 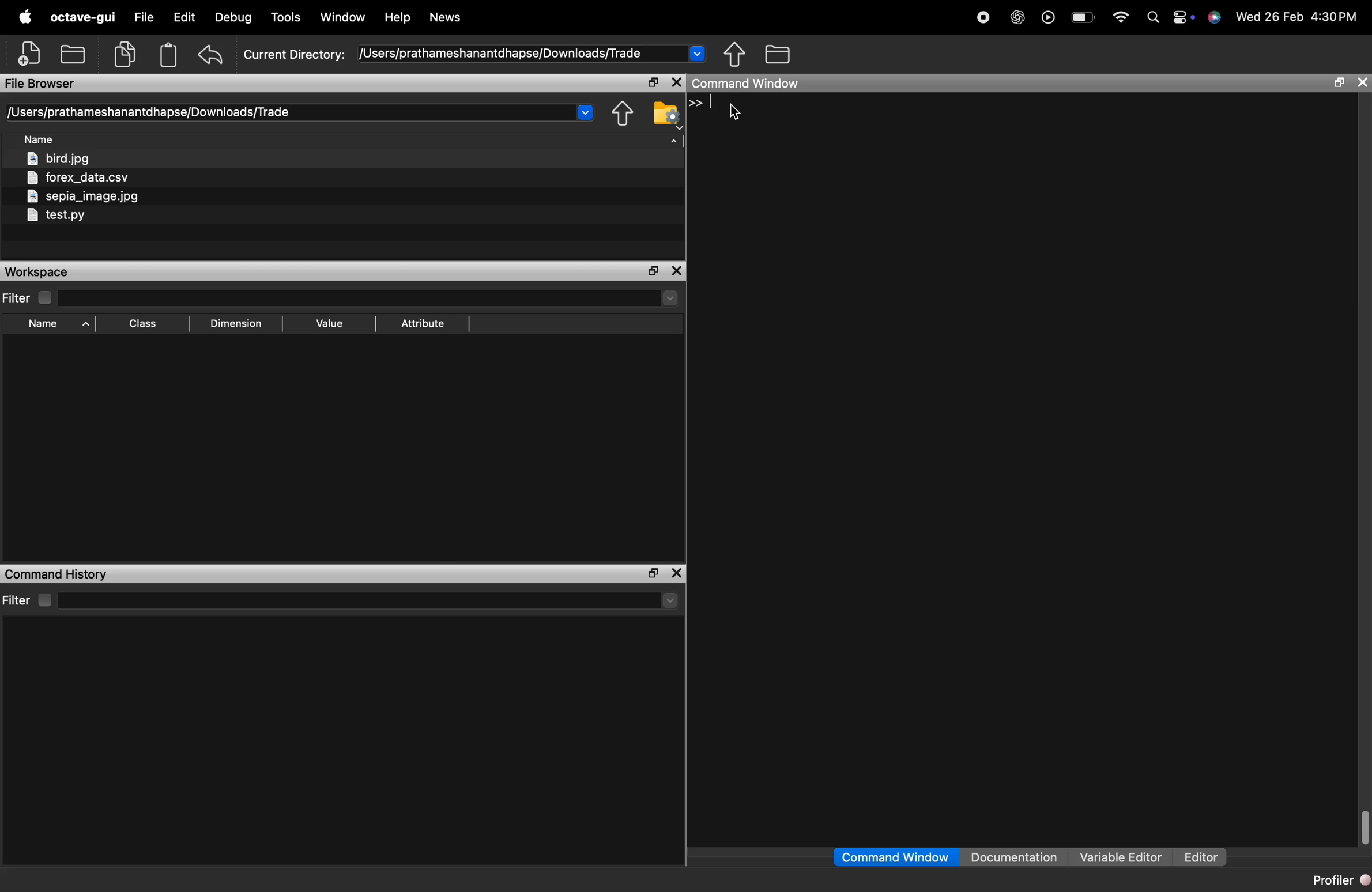 I want to click on Current Directory:, so click(x=295, y=54).